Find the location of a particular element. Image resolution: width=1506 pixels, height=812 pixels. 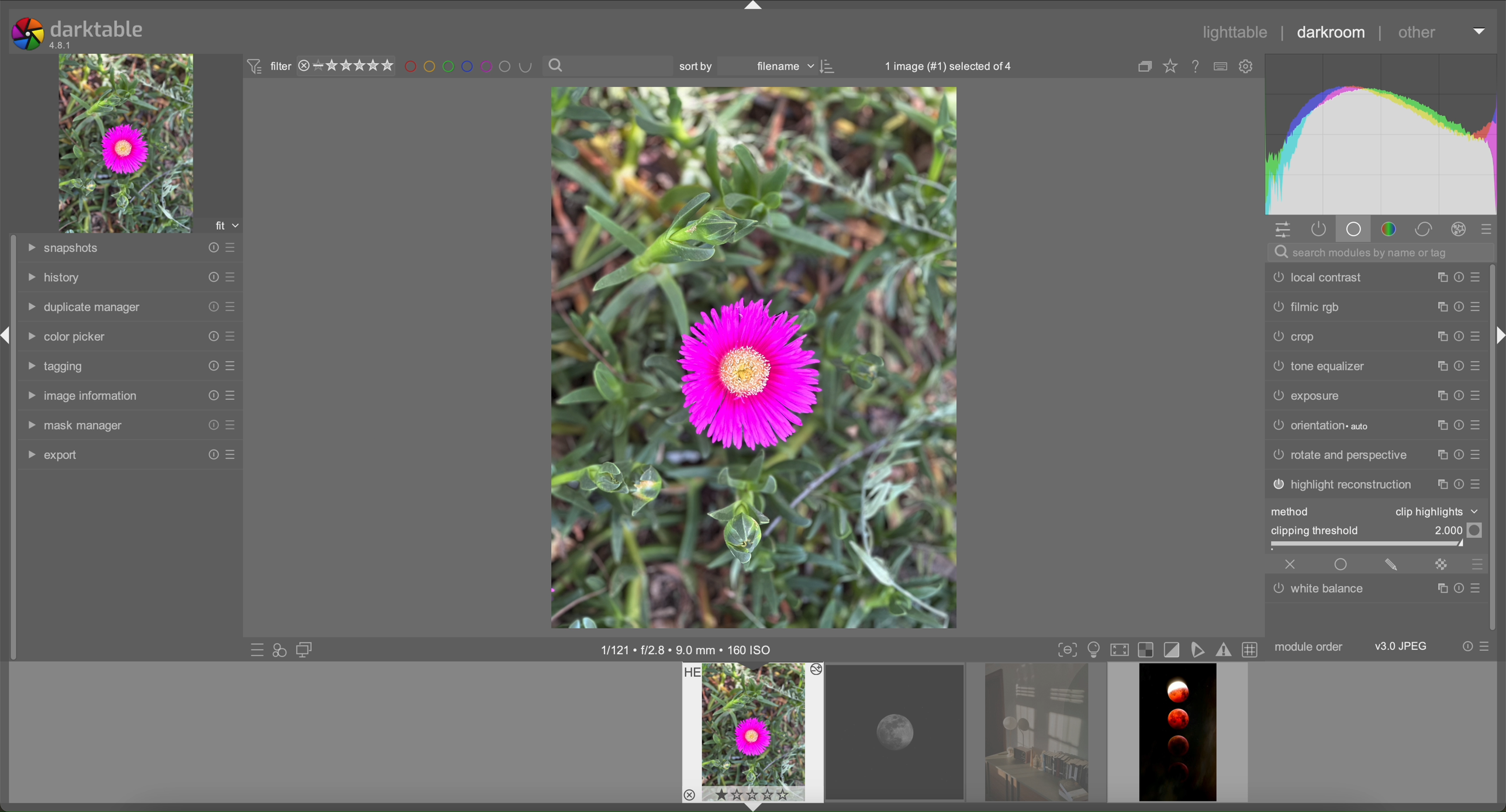

copy is located at coordinates (1438, 336).